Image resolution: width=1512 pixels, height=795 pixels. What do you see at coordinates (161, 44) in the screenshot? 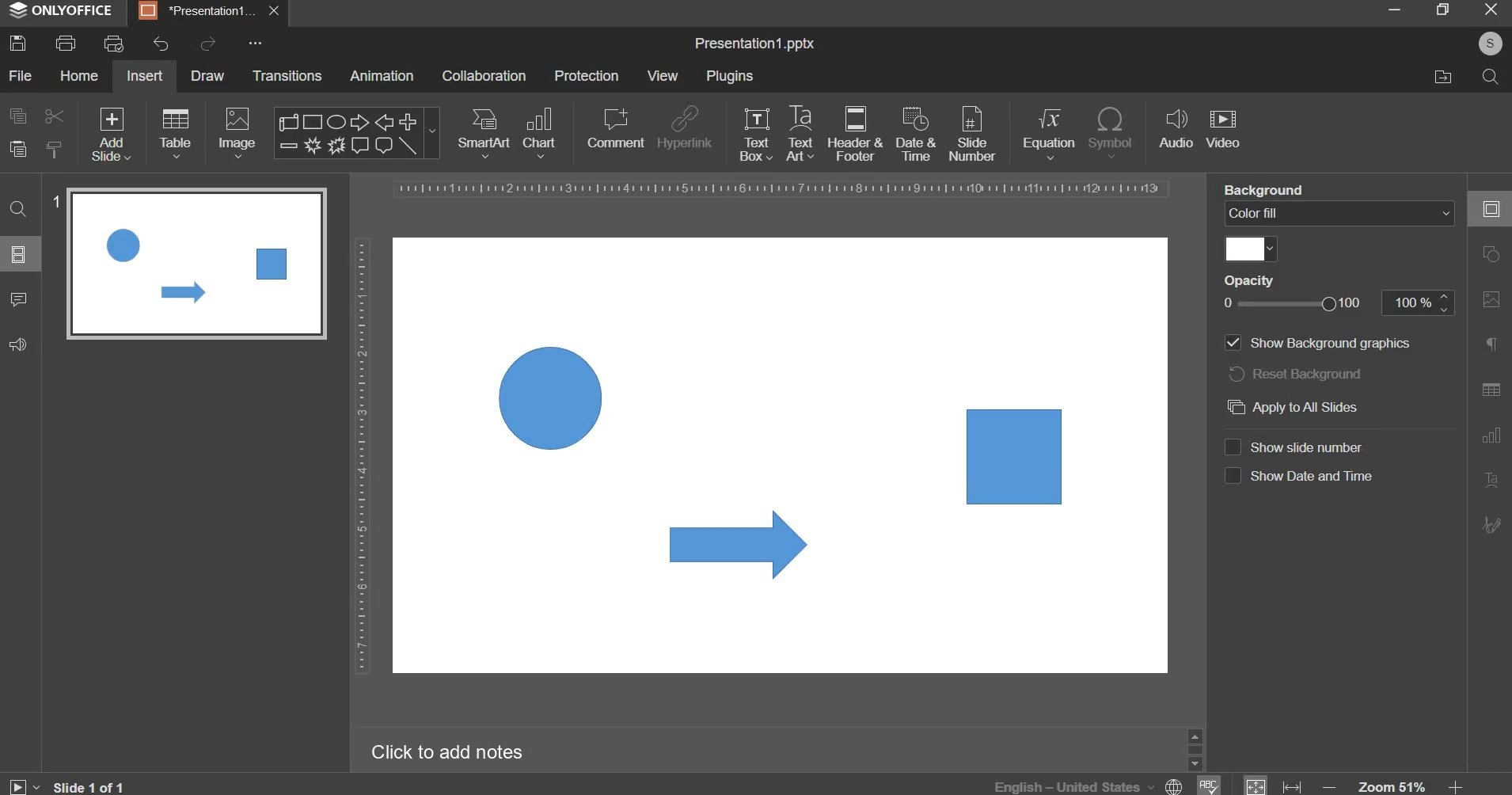
I see `undo` at bounding box center [161, 44].